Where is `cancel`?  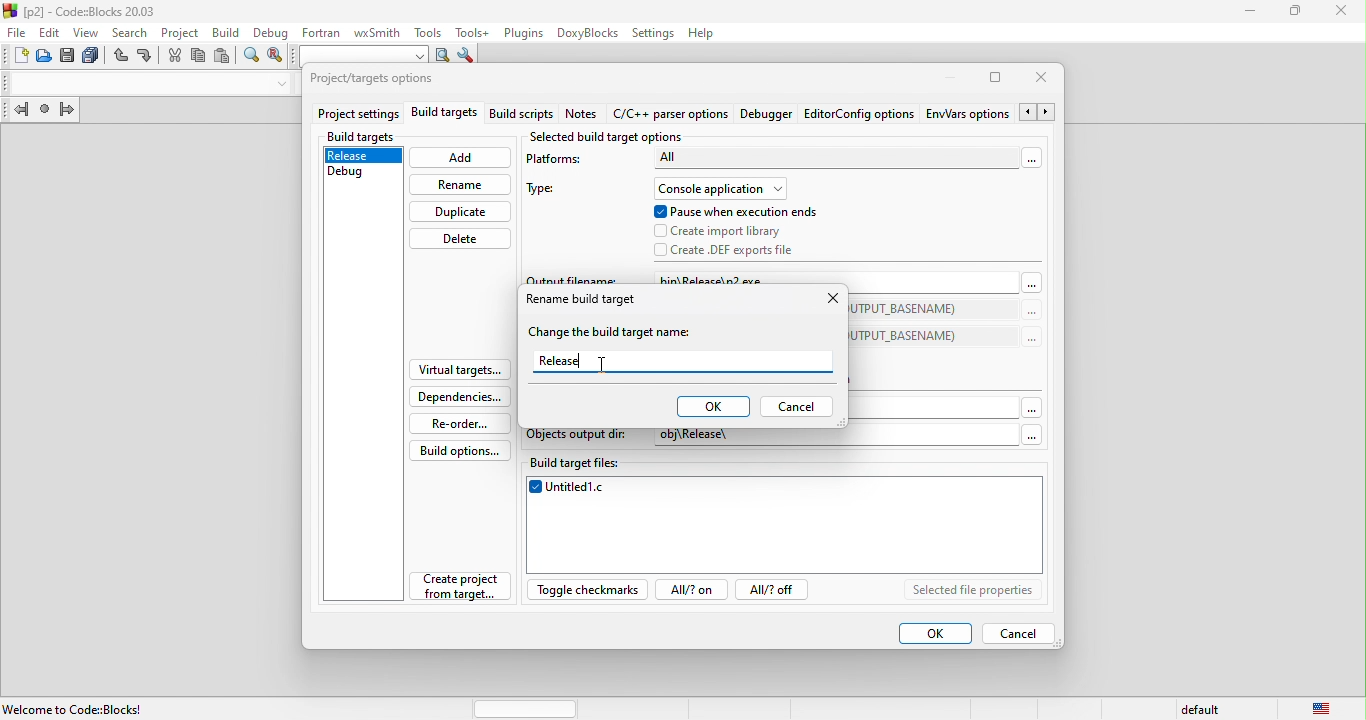 cancel is located at coordinates (1026, 632).